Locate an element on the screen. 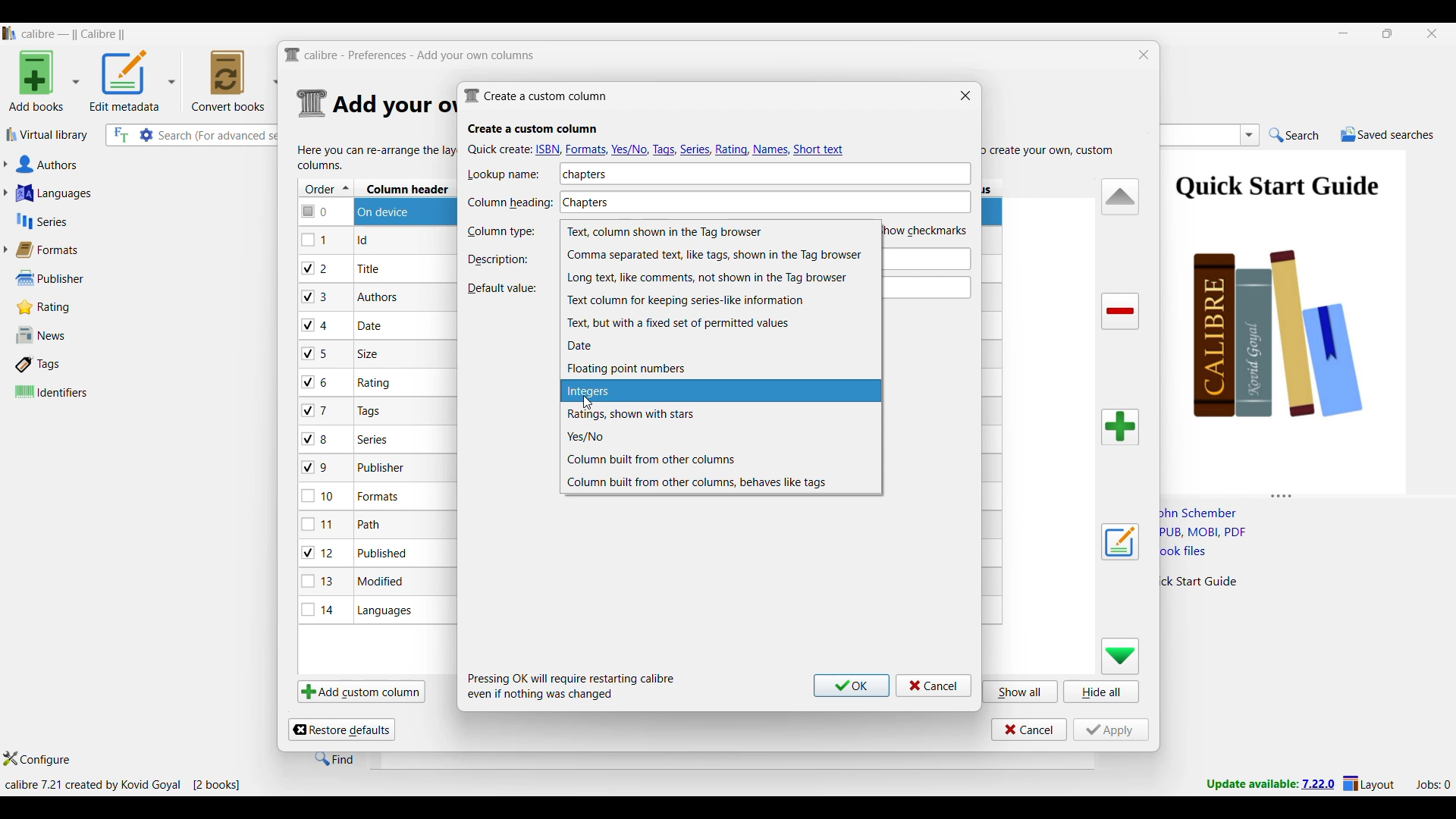 Image resolution: width=1456 pixels, height=819 pixels. Text, column shown in the Tag browser is located at coordinates (719, 232).